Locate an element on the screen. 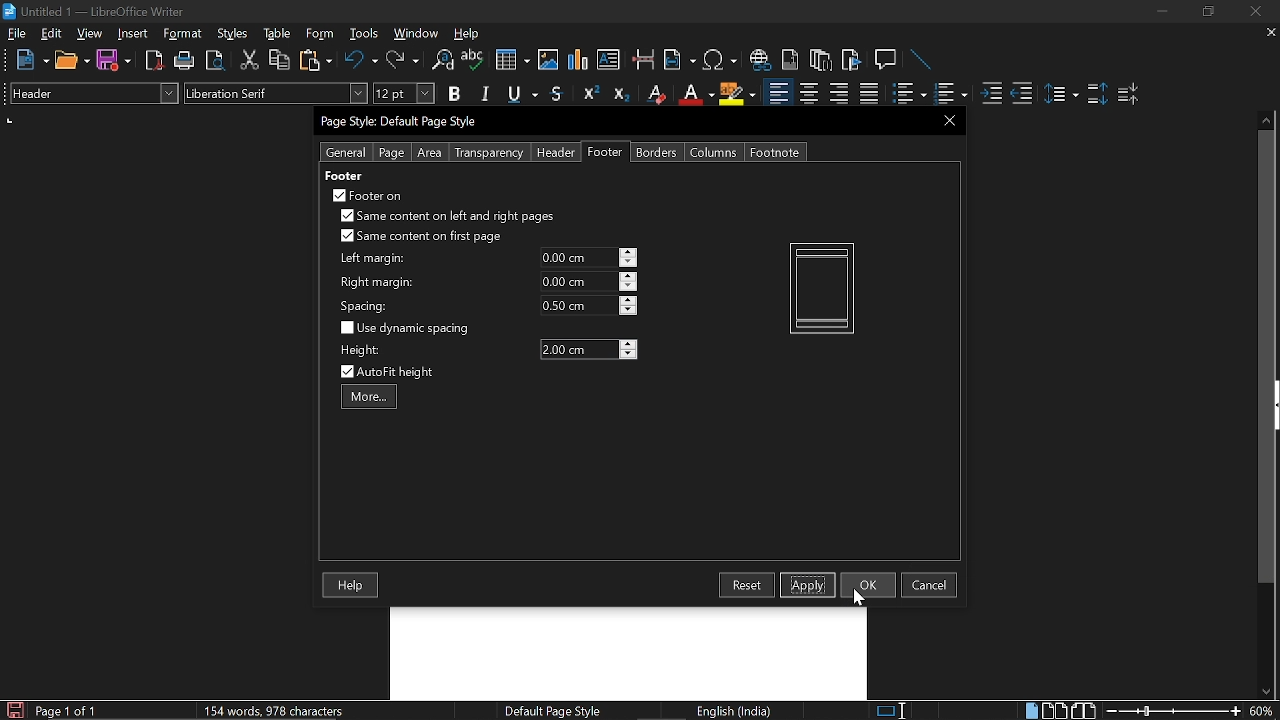  Insert endnote is located at coordinates (790, 60).